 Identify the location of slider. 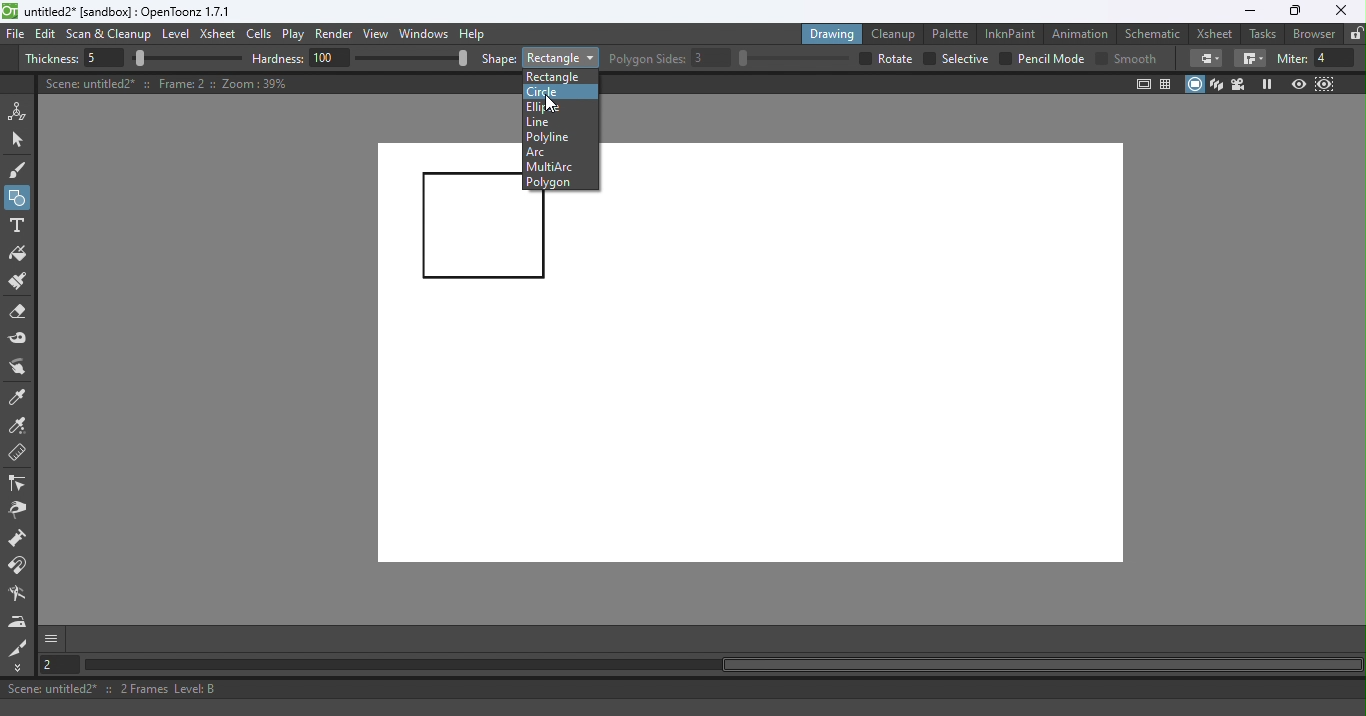
(793, 58).